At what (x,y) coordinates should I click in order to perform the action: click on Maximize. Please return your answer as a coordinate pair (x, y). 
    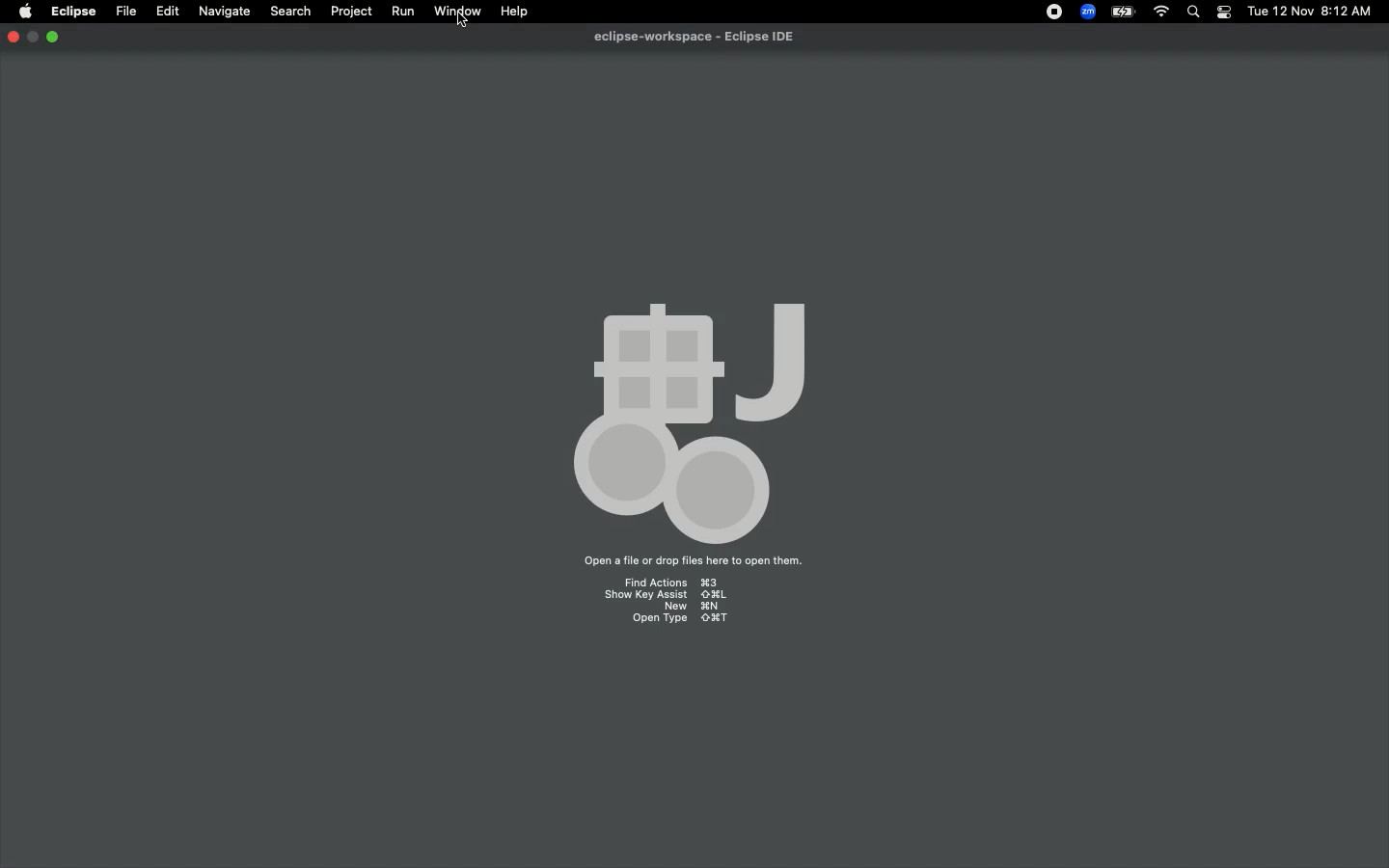
    Looking at the image, I should click on (53, 38).